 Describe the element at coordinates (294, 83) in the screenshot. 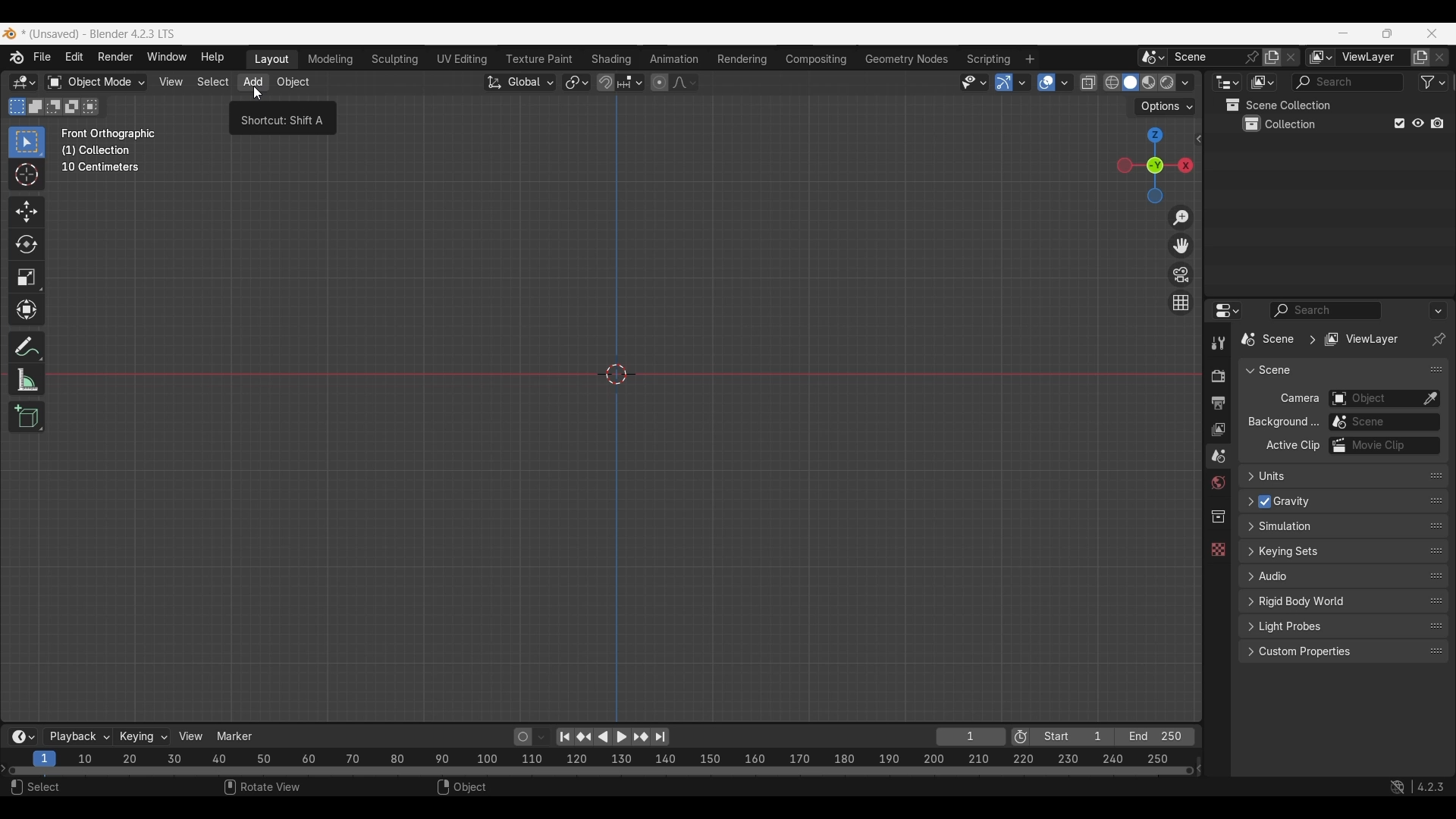

I see `Object menu` at that location.